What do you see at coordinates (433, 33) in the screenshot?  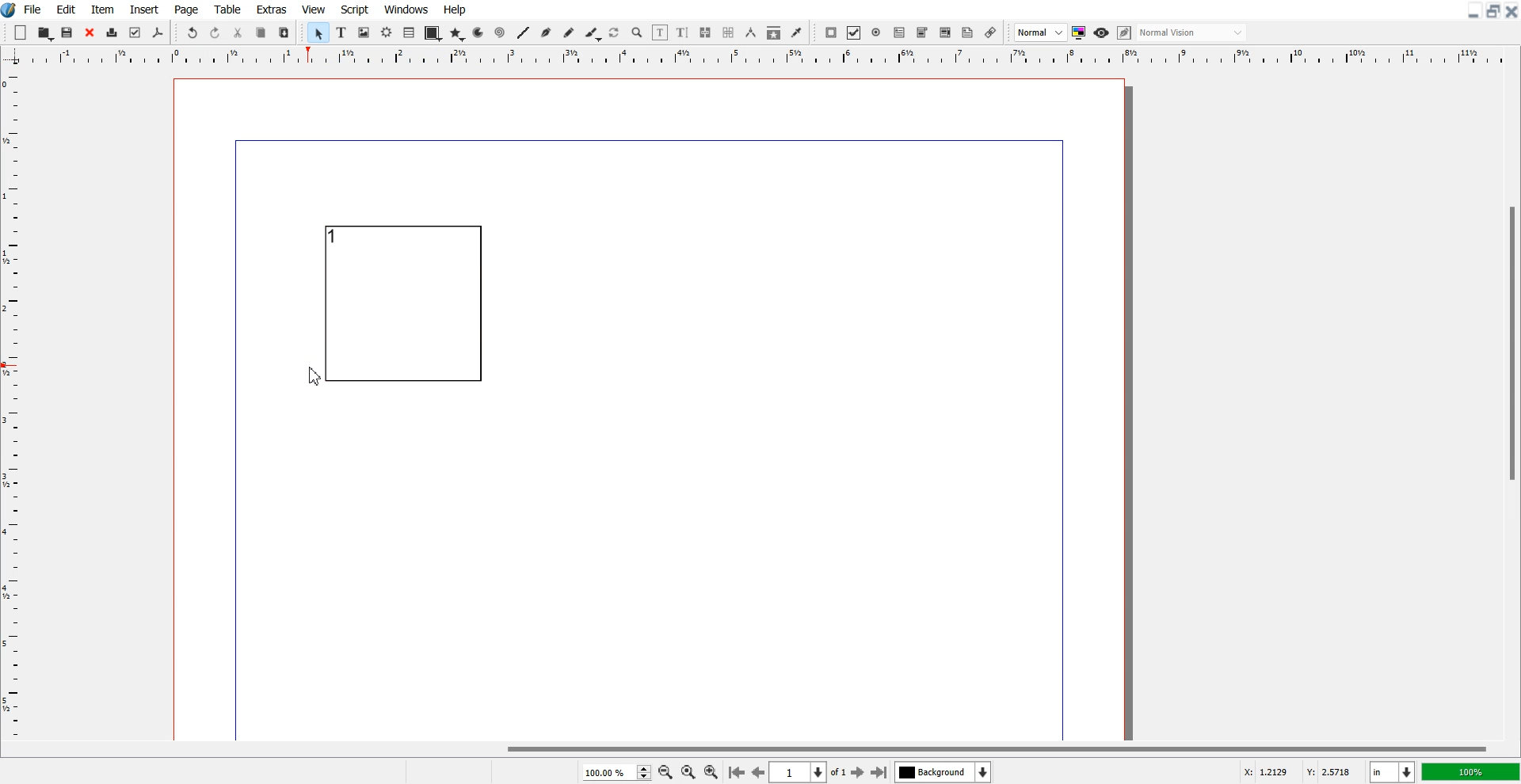 I see `Shape` at bounding box center [433, 33].